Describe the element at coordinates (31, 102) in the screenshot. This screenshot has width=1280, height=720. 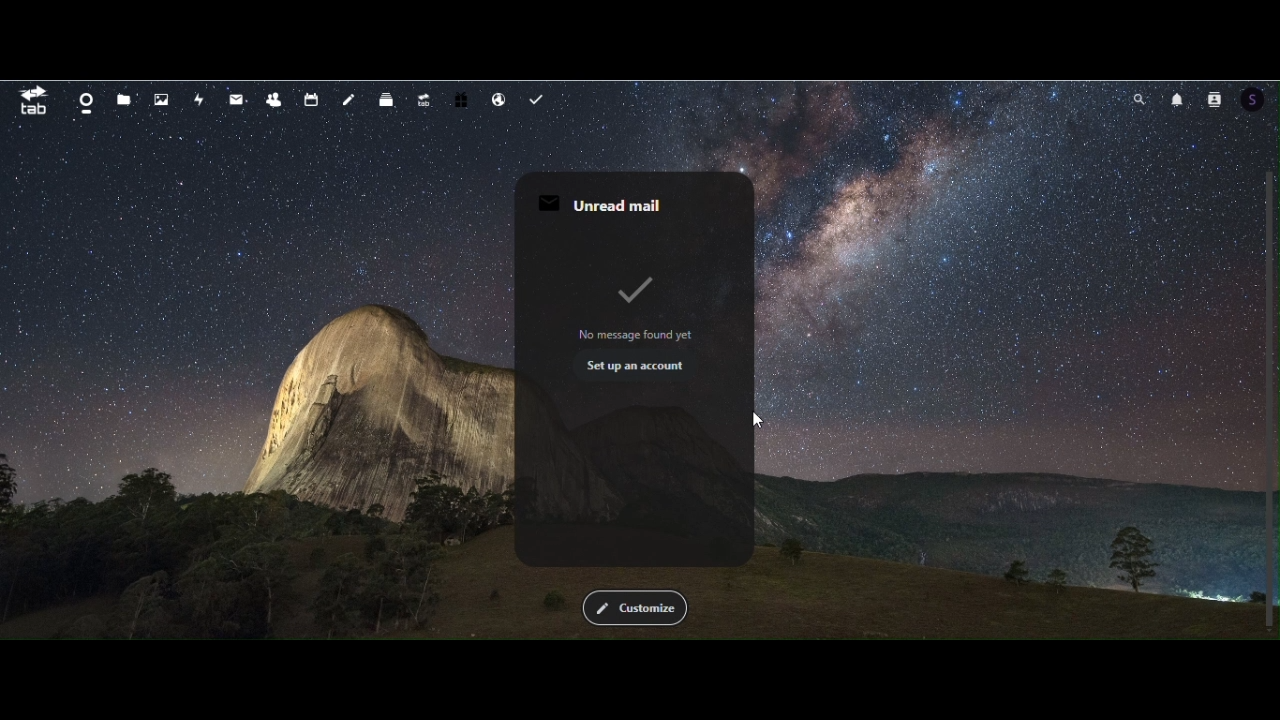
I see `tab` at that location.